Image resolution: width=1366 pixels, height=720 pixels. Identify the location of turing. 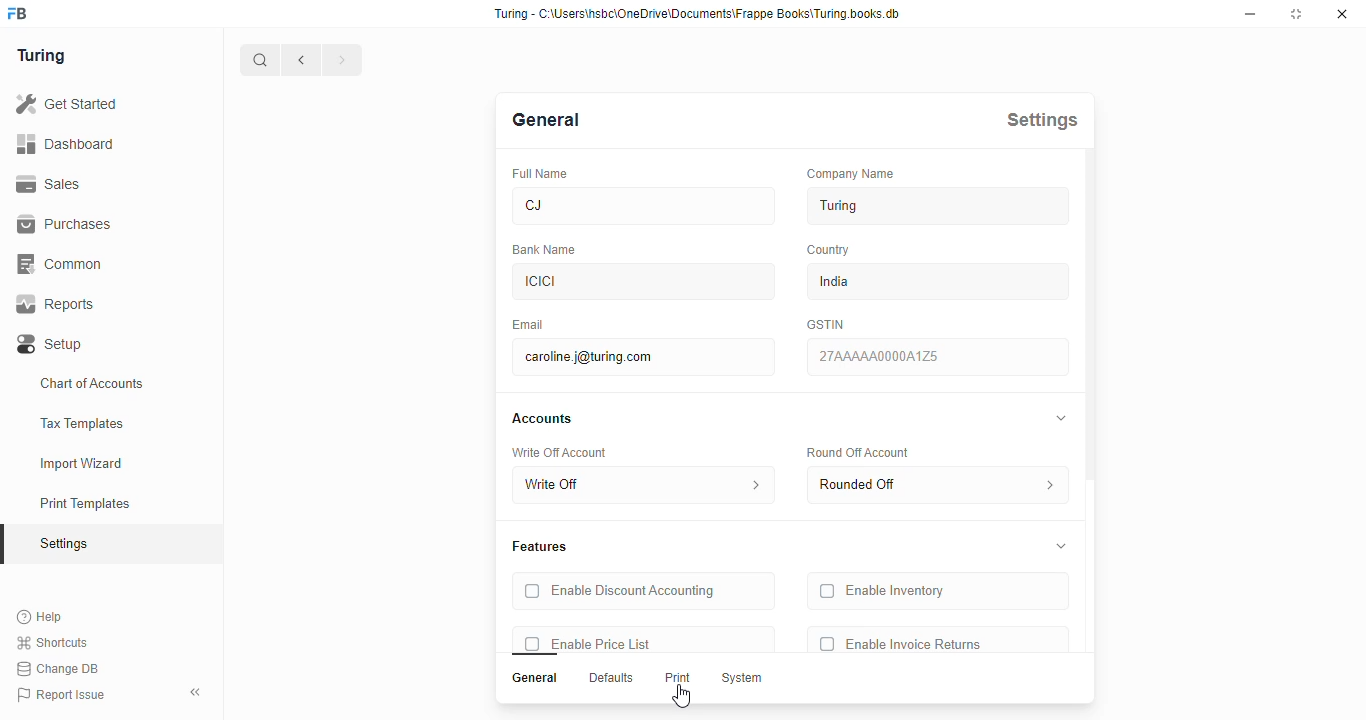
(40, 55).